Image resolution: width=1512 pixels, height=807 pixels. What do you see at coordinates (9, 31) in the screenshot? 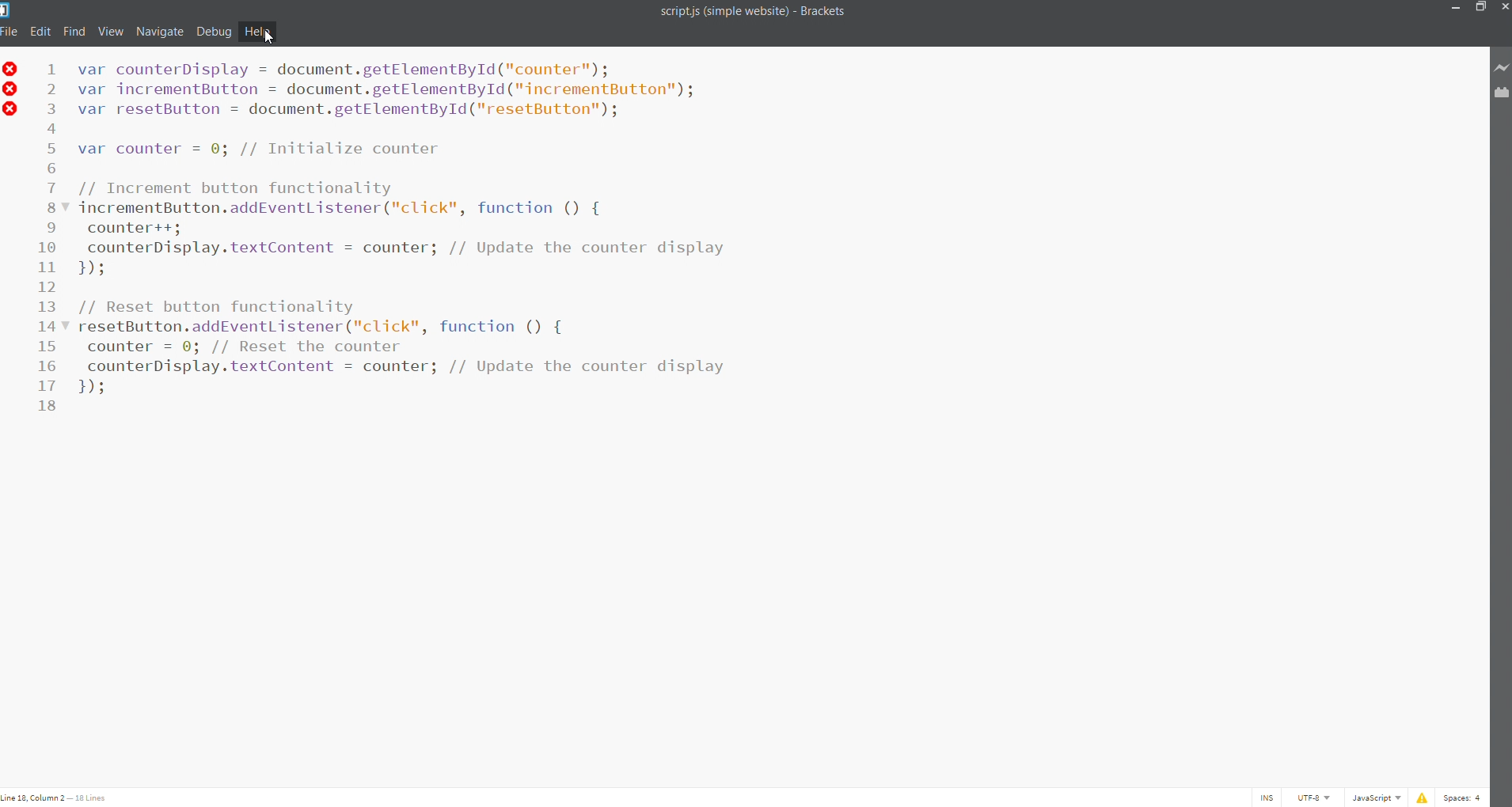
I see `file` at bounding box center [9, 31].